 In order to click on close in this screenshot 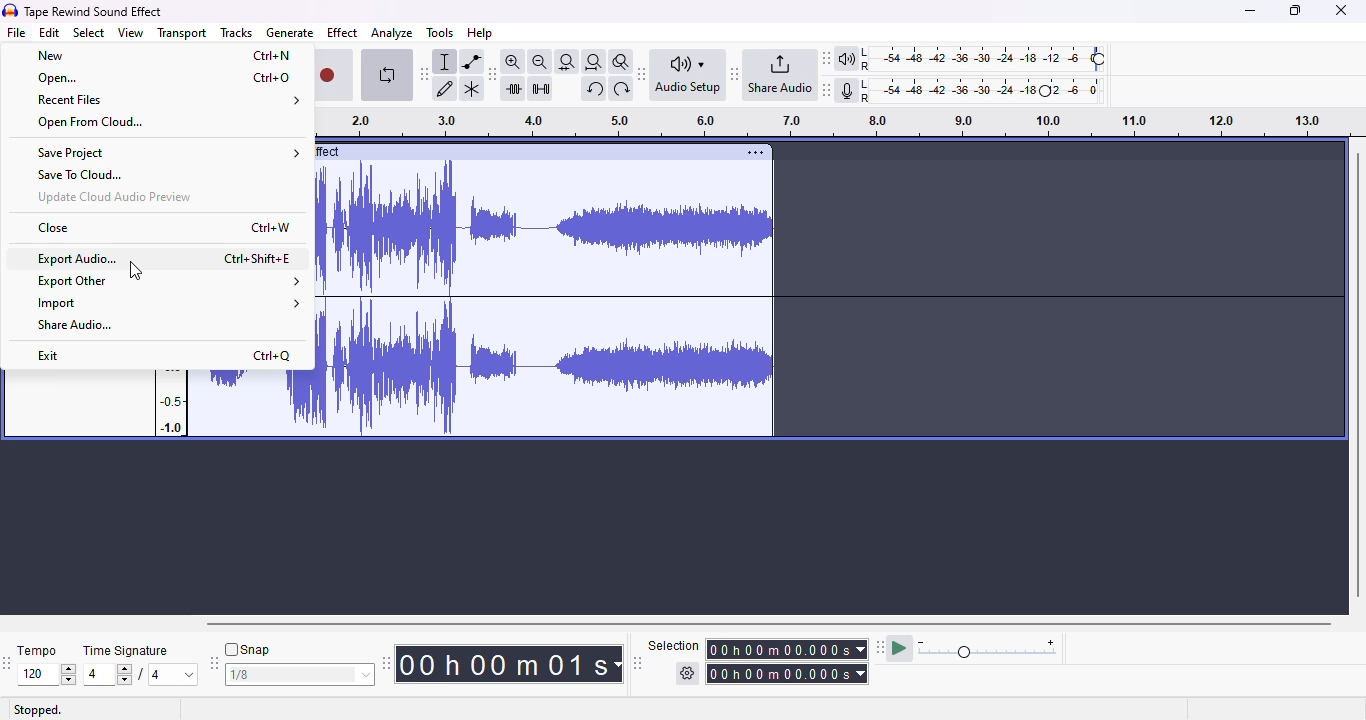, I will do `click(51, 228)`.